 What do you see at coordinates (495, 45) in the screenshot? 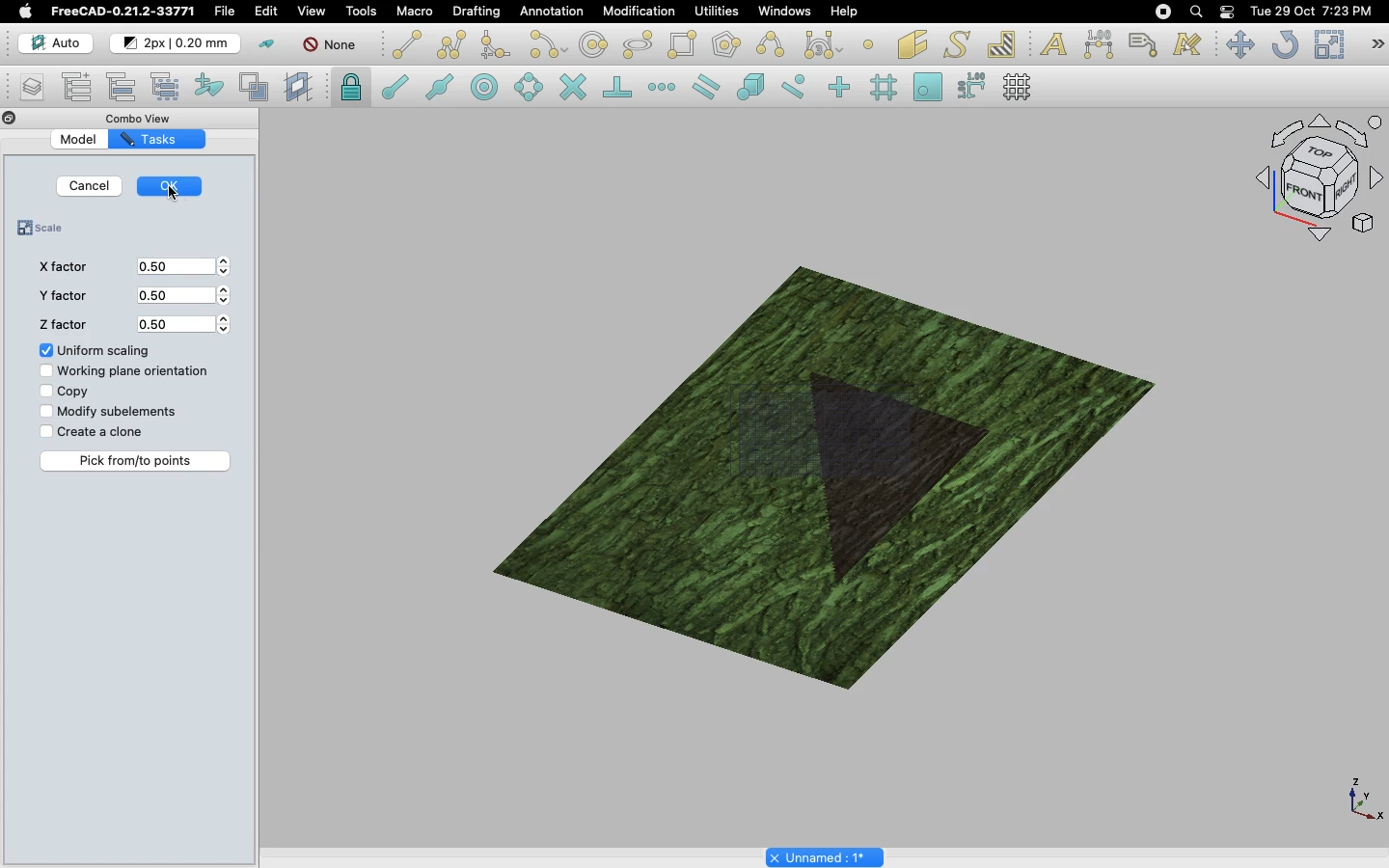
I see `Fillet` at bounding box center [495, 45].